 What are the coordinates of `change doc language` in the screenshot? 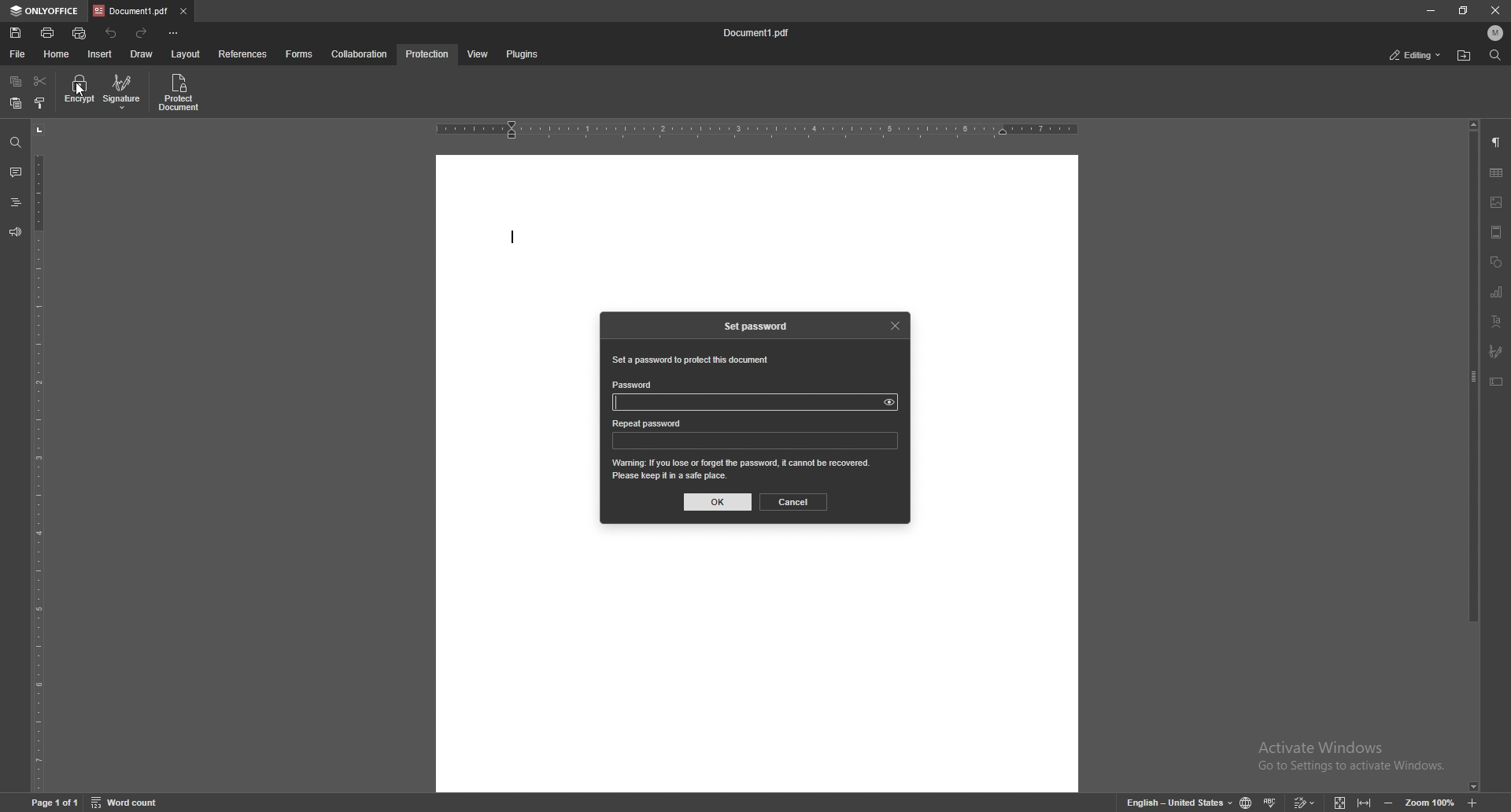 It's located at (1247, 802).